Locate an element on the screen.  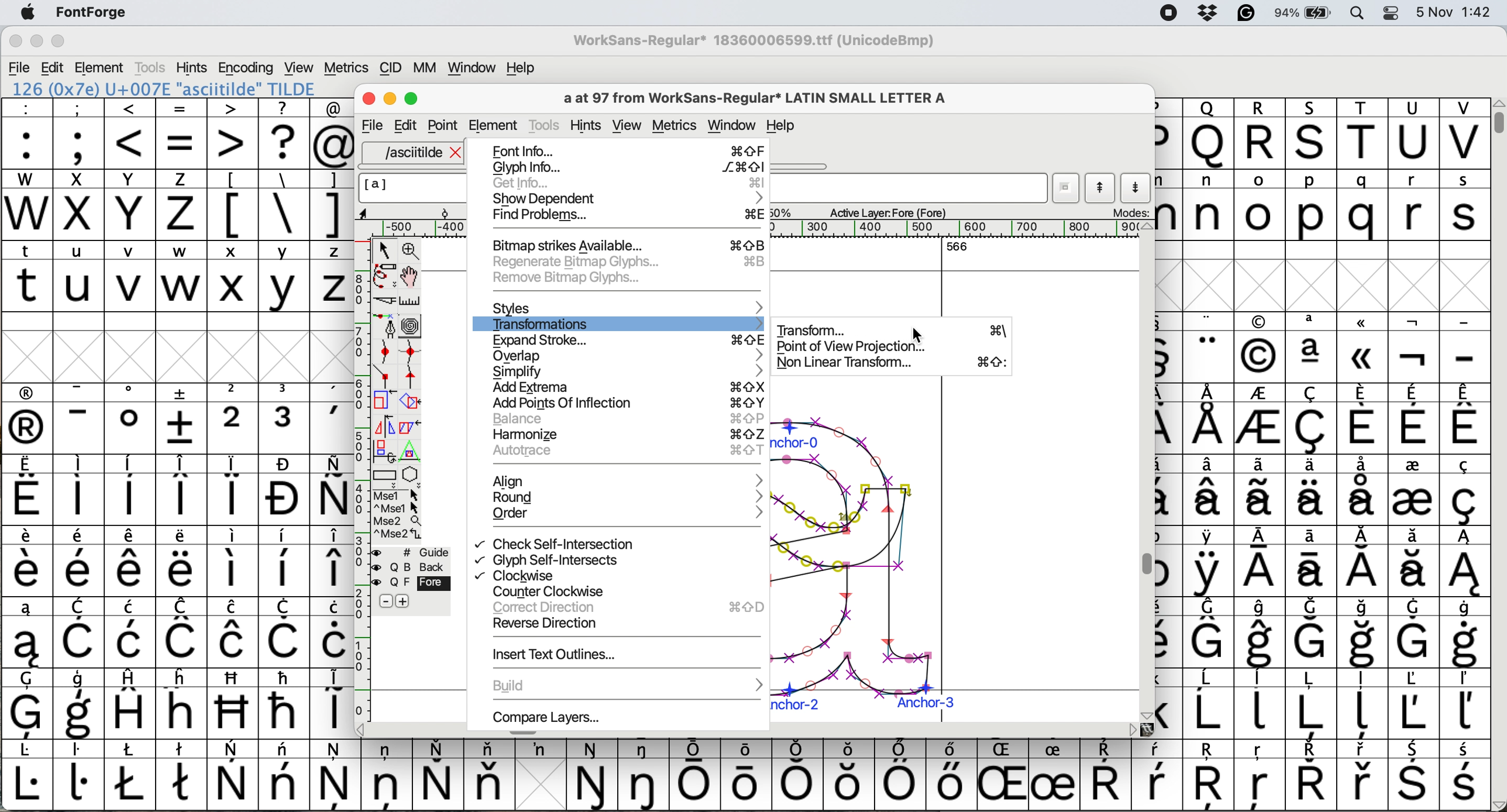
 is located at coordinates (1364, 347).